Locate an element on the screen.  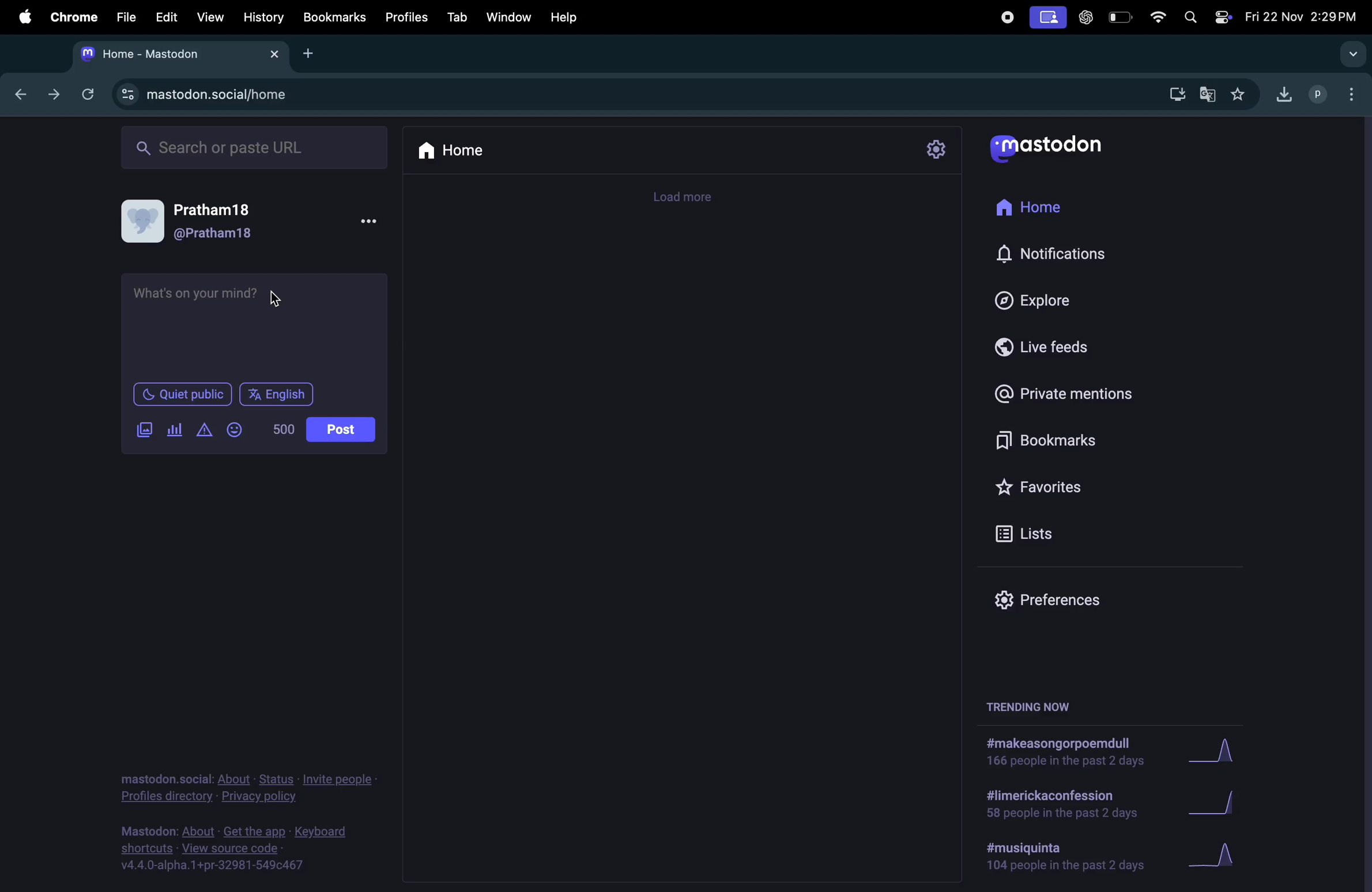
backtab is located at coordinates (17, 95).